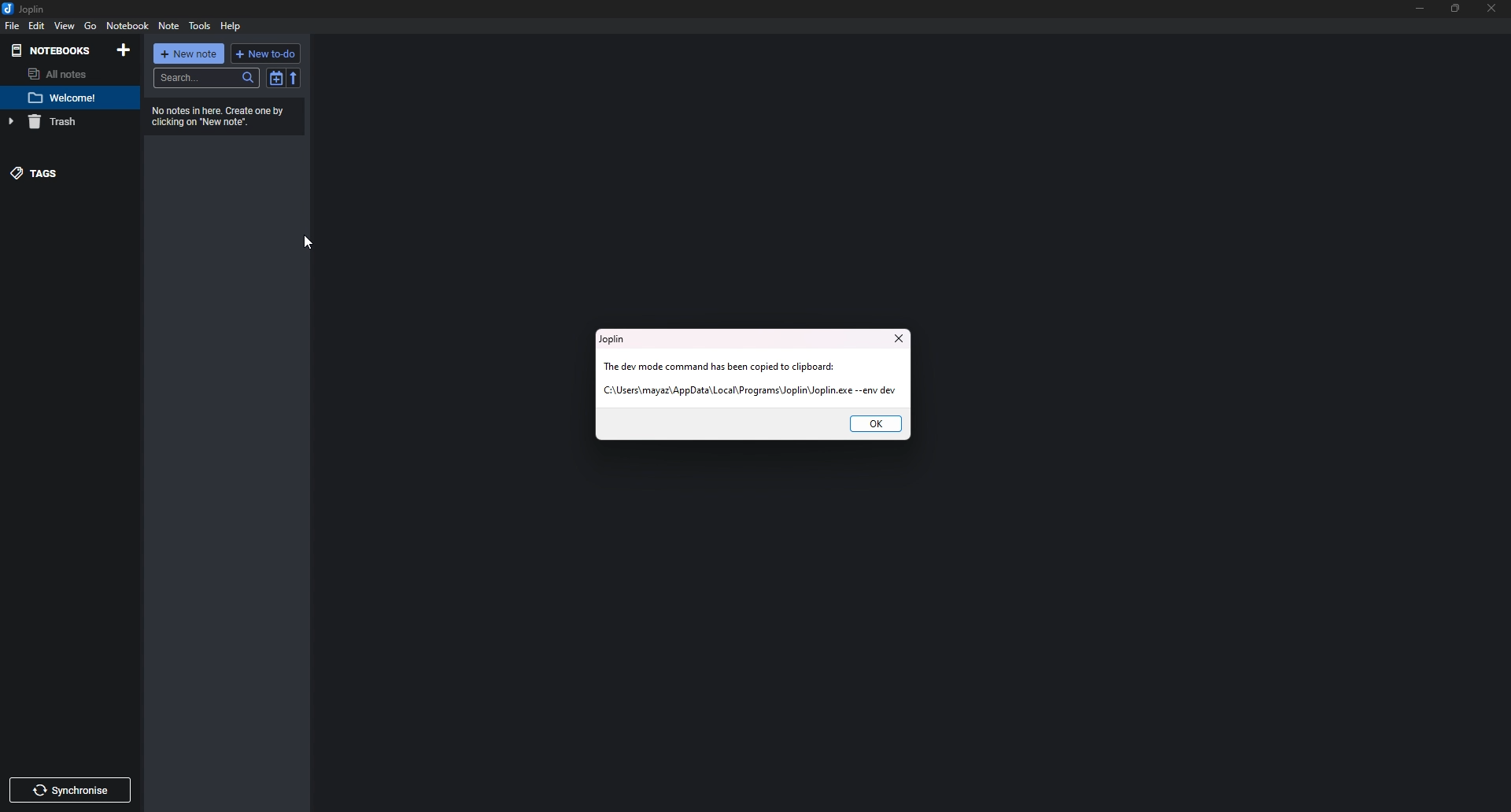 The image size is (1511, 812). I want to click on New note, so click(188, 54).